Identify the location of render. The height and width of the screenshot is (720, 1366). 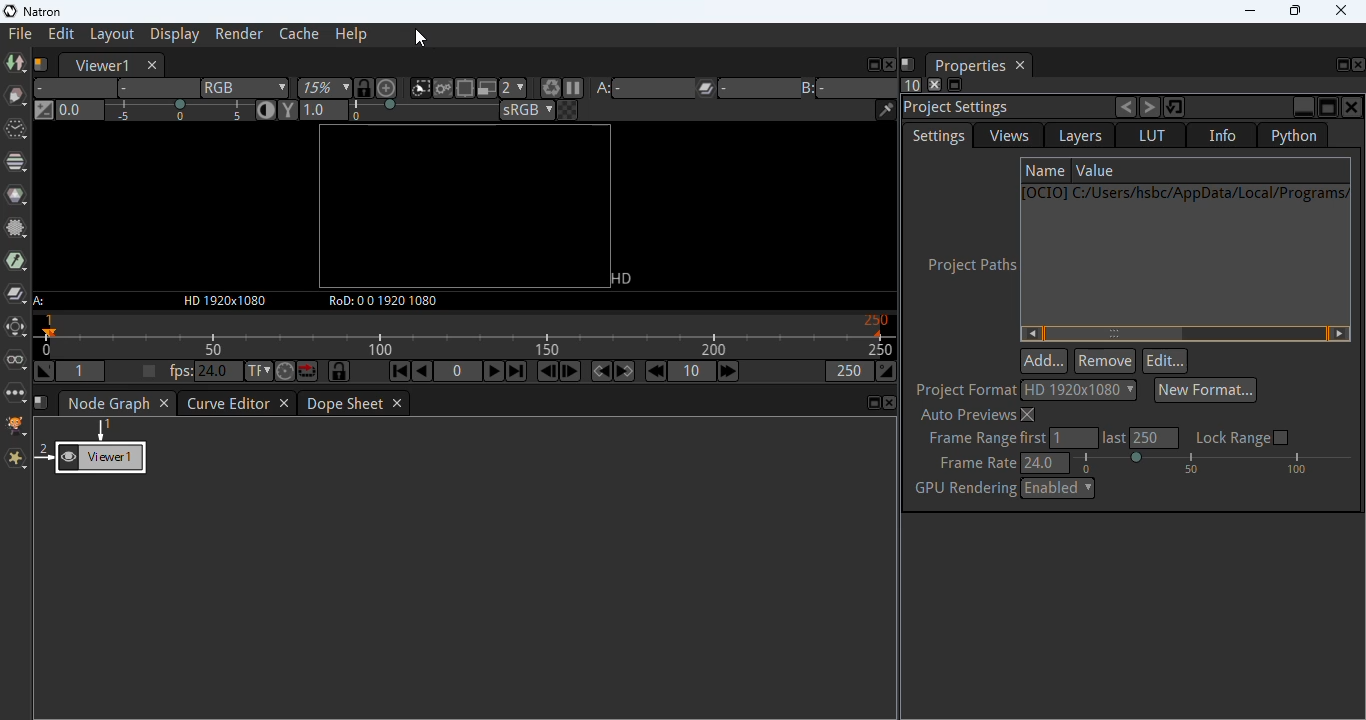
(239, 34).